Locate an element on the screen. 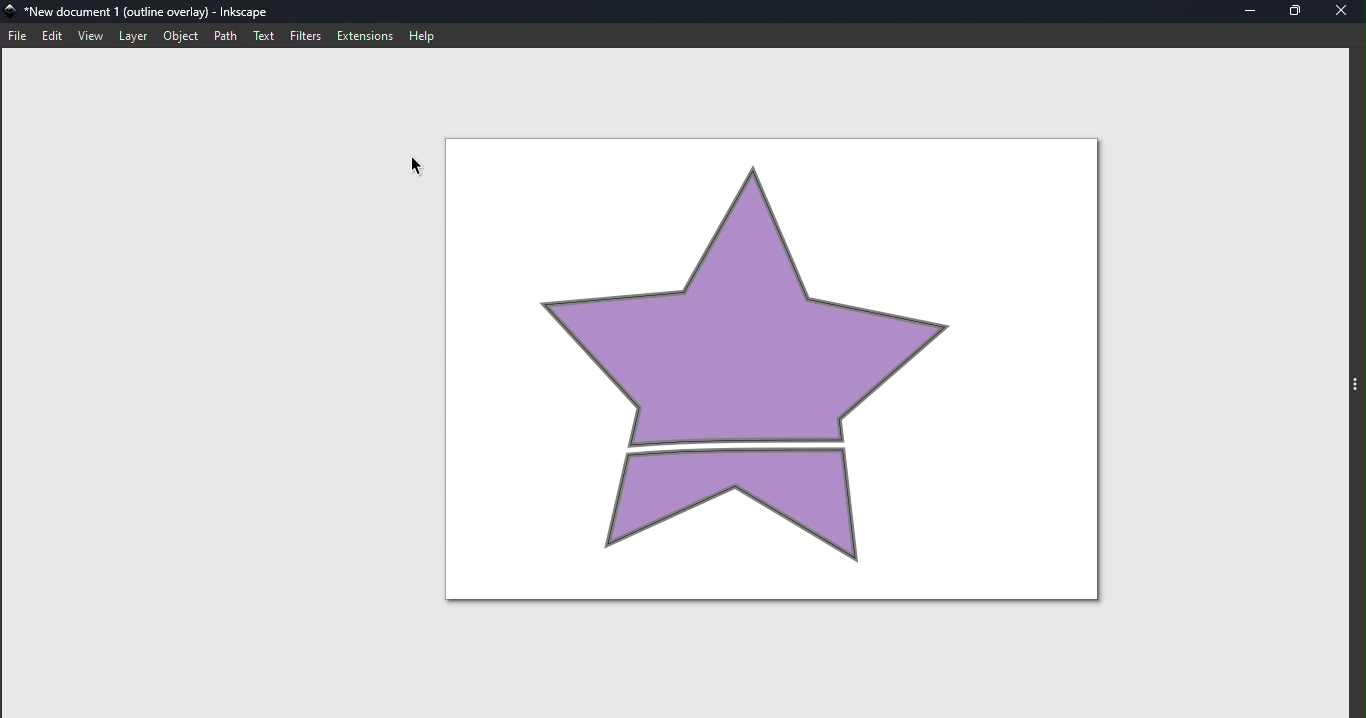 The width and height of the screenshot is (1366, 718). File is located at coordinates (18, 38).